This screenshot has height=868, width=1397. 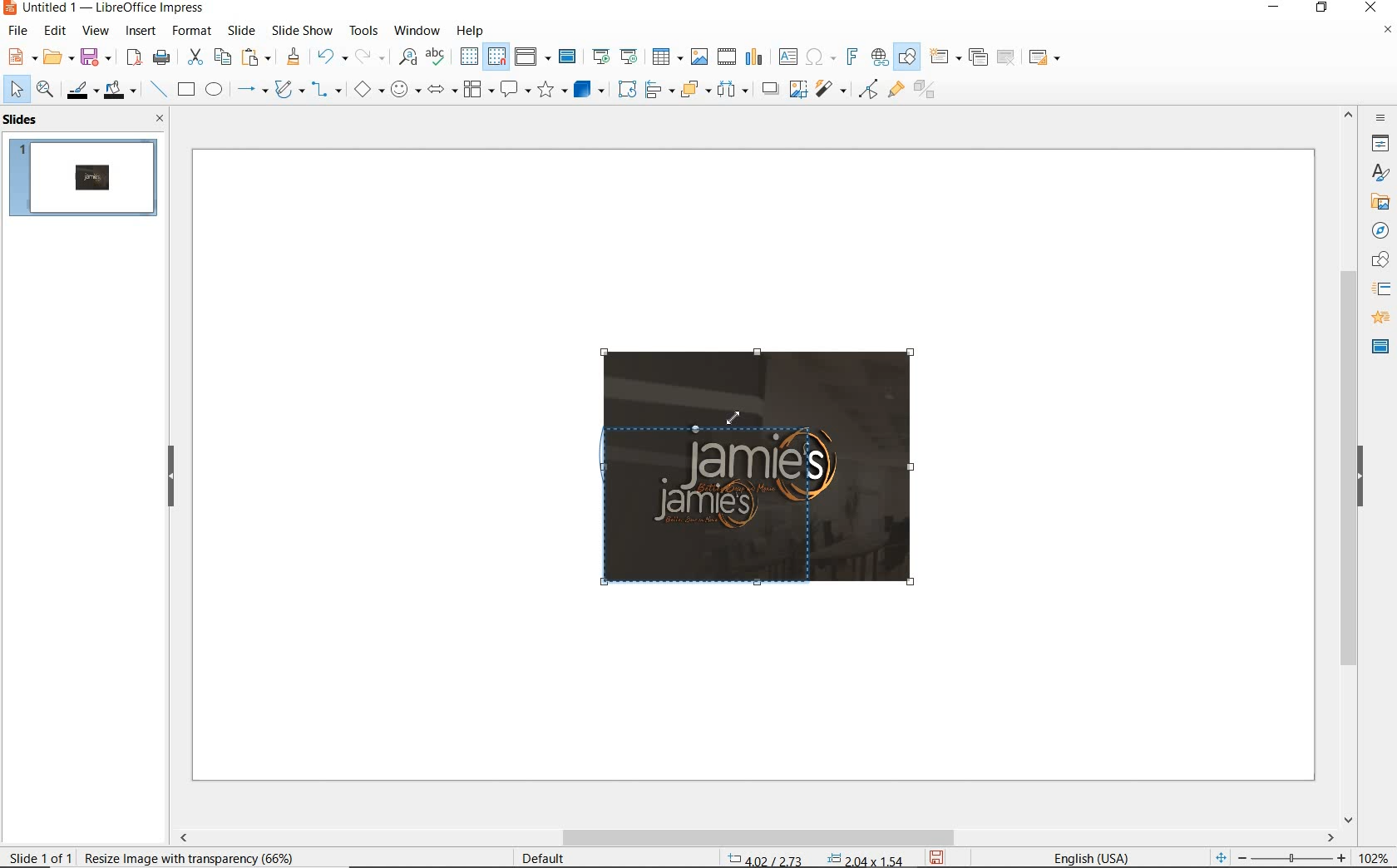 What do you see at coordinates (725, 56) in the screenshot?
I see `insert video` at bounding box center [725, 56].